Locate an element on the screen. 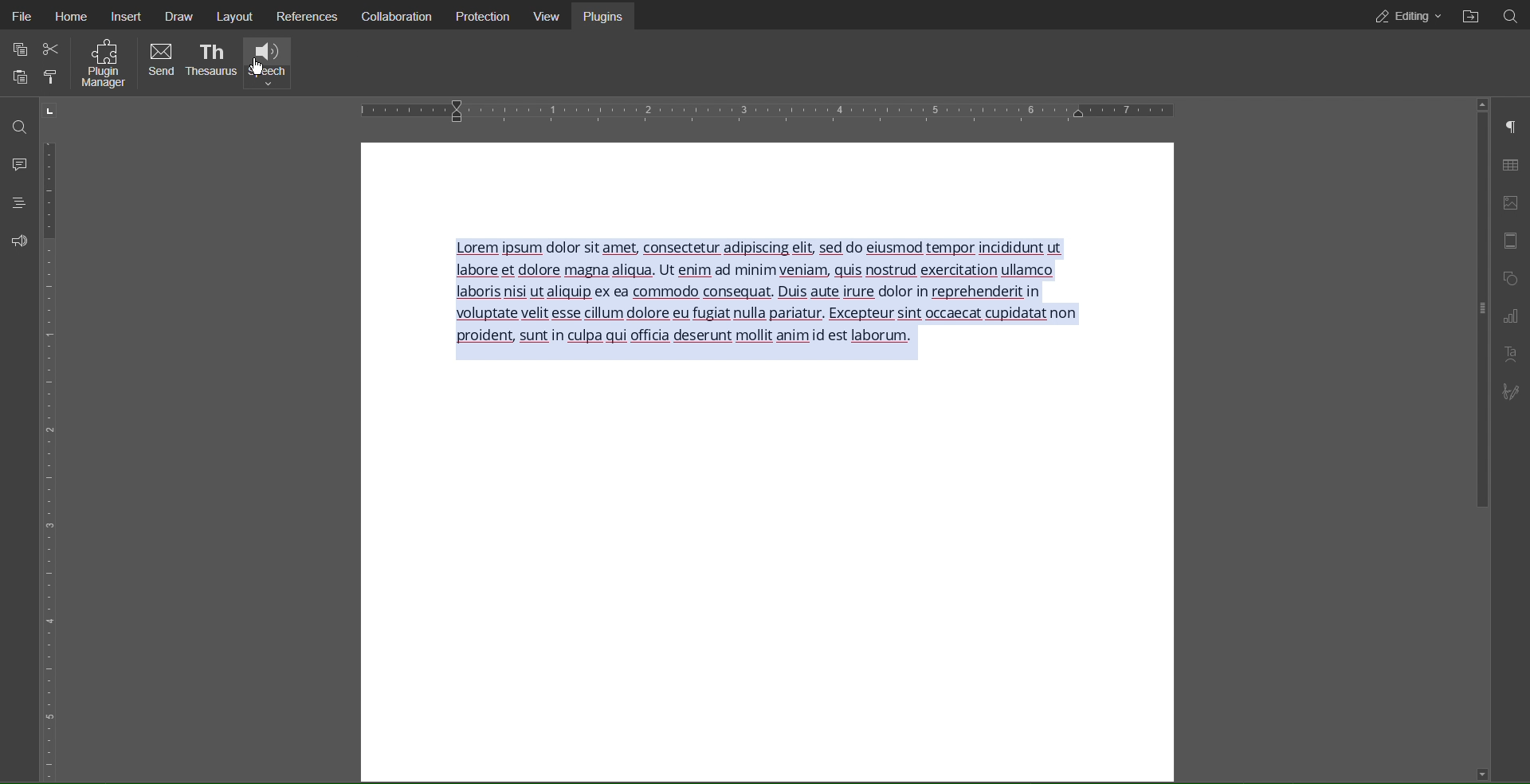 The image size is (1530, 784). Speech is located at coordinates (268, 63).